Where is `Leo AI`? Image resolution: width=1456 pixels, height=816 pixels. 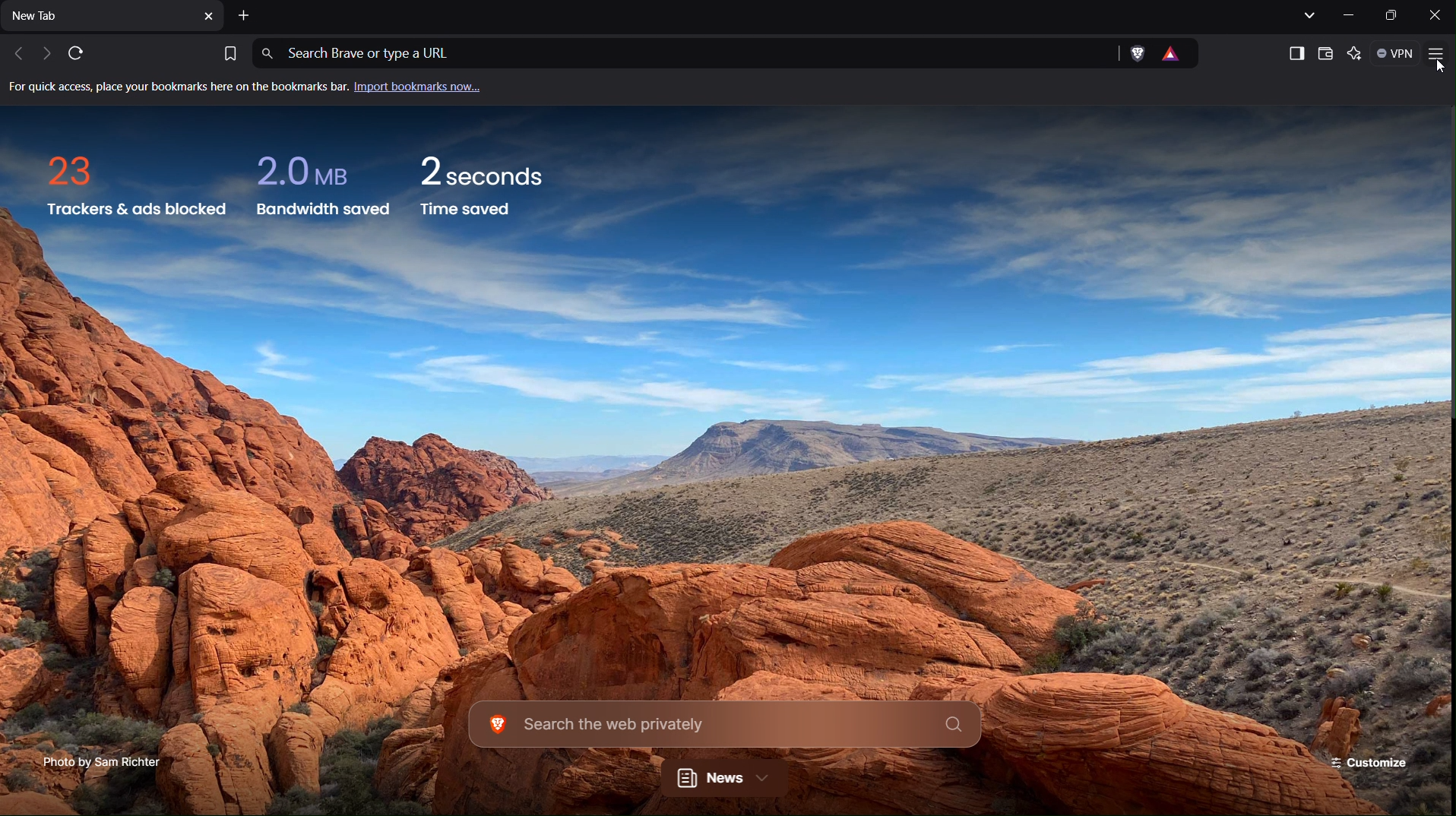
Leo AI is located at coordinates (1353, 55).